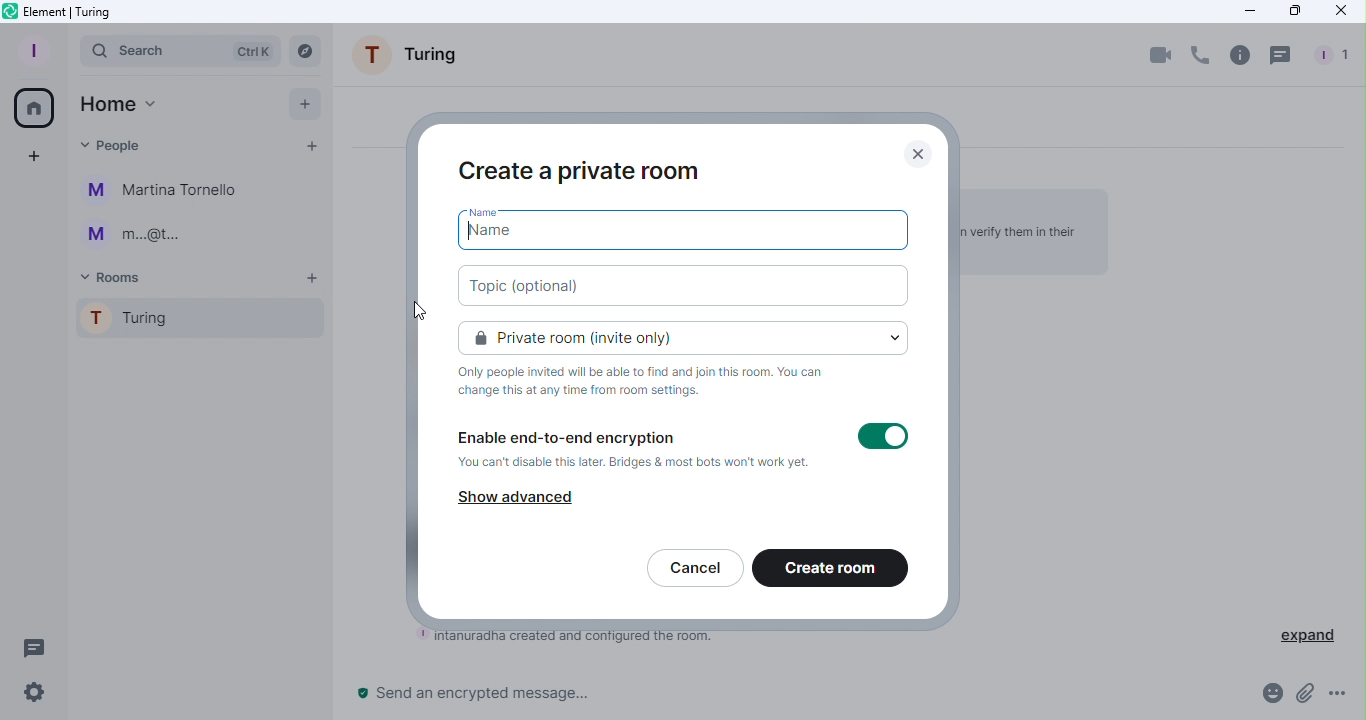  What do you see at coordinates (1198, 56) in the screenshot?
I see `Call` at bounding box center [1198, 56].